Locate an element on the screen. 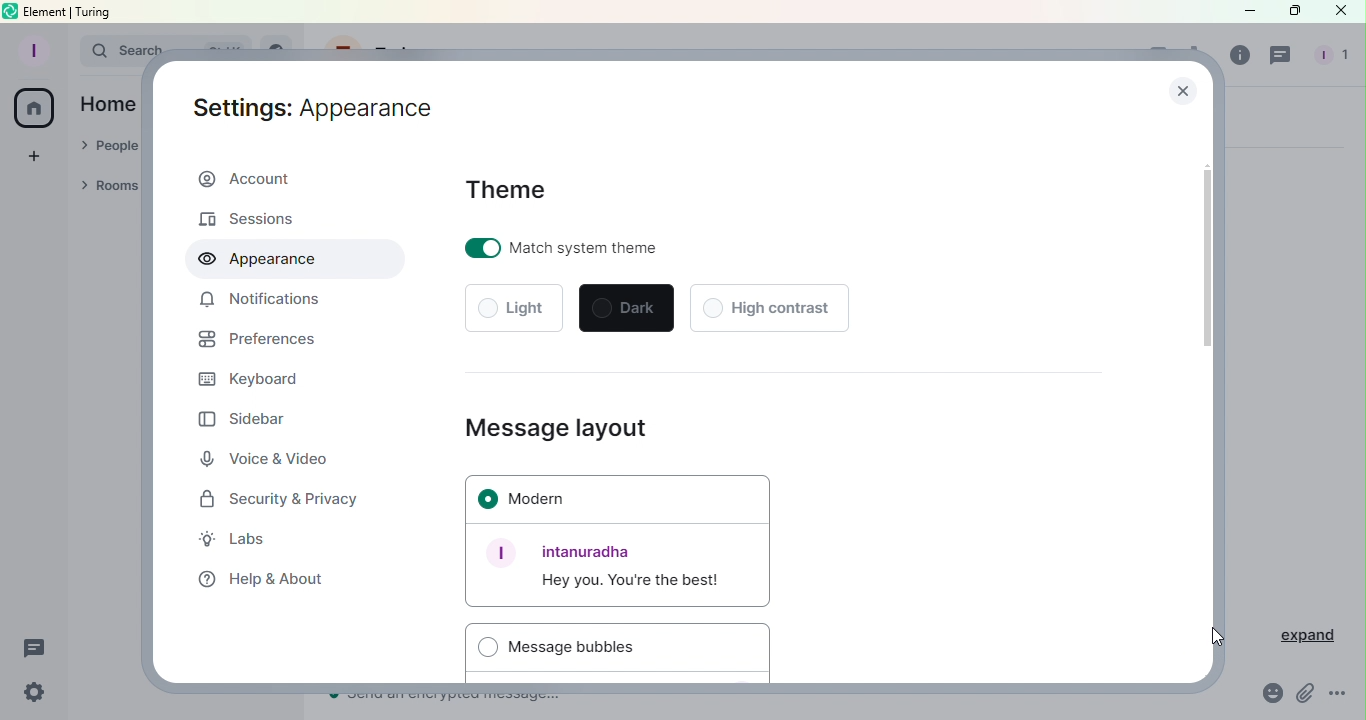  Modern is located at coordinates (616, 500).